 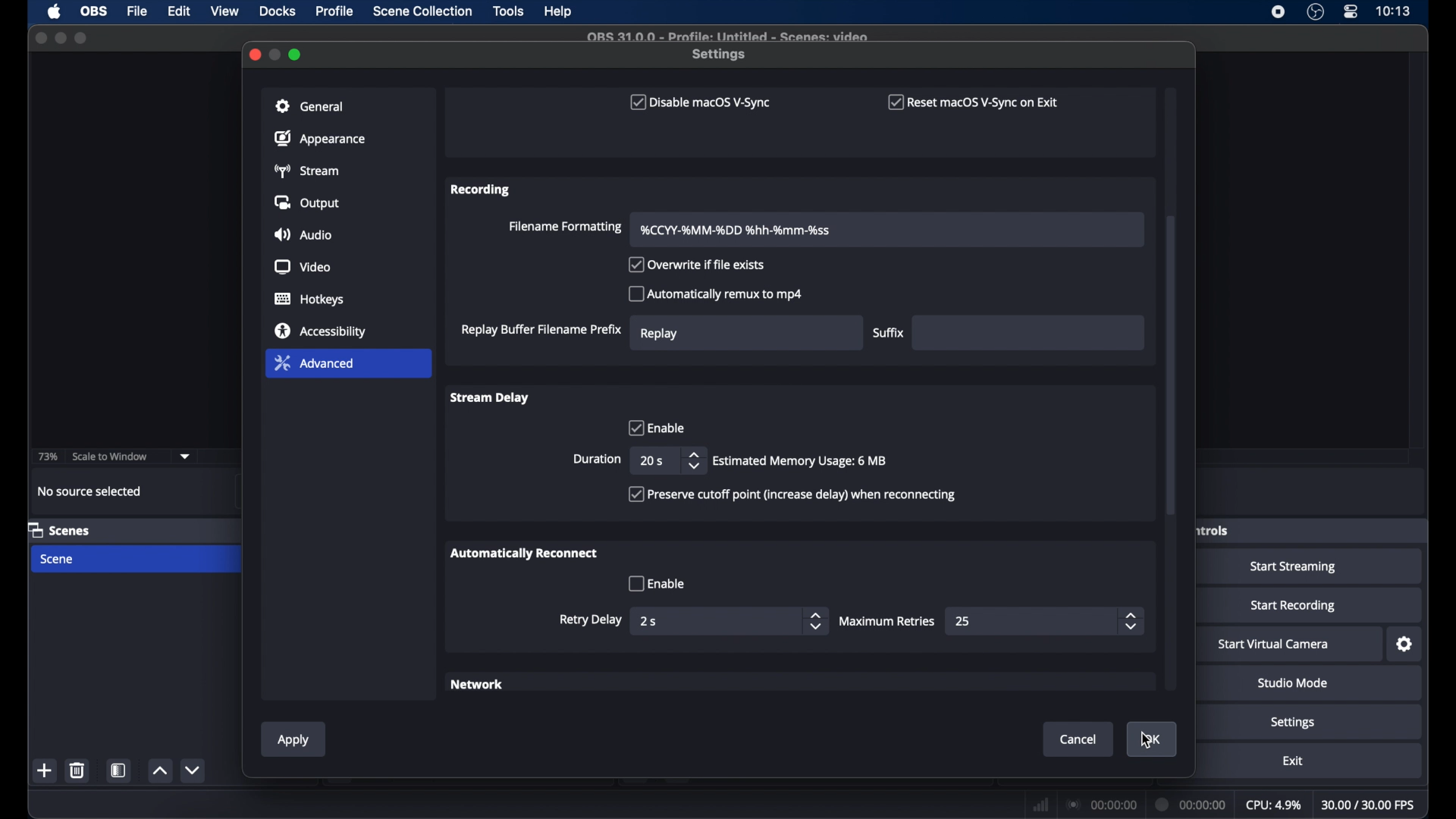 What do you see at coordinates (524, 553) in the screenshot?
I see `automatically reconnect` at bounding box center [524, 553].